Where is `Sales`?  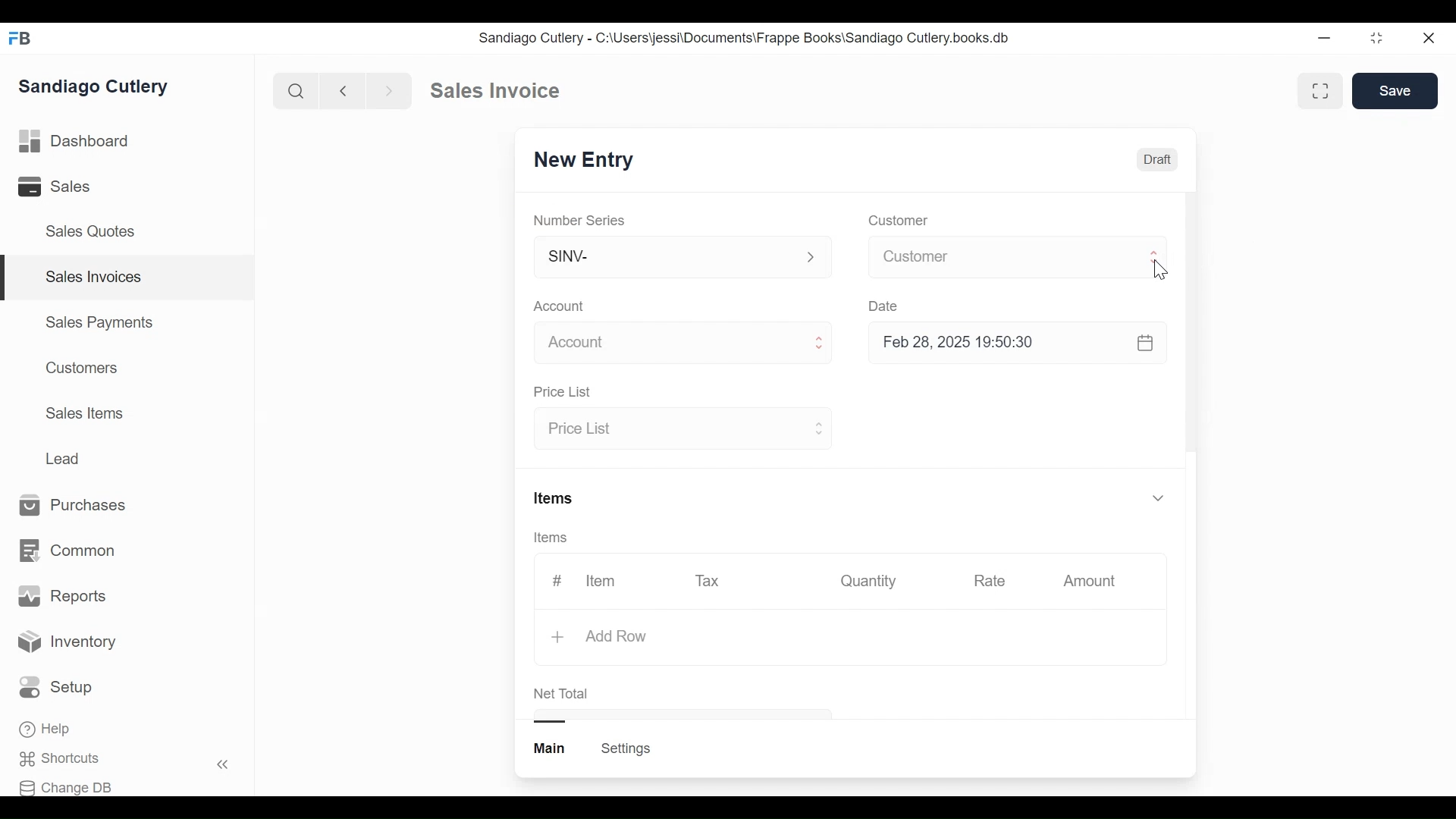 Sales is located at coordinates (57, 186).